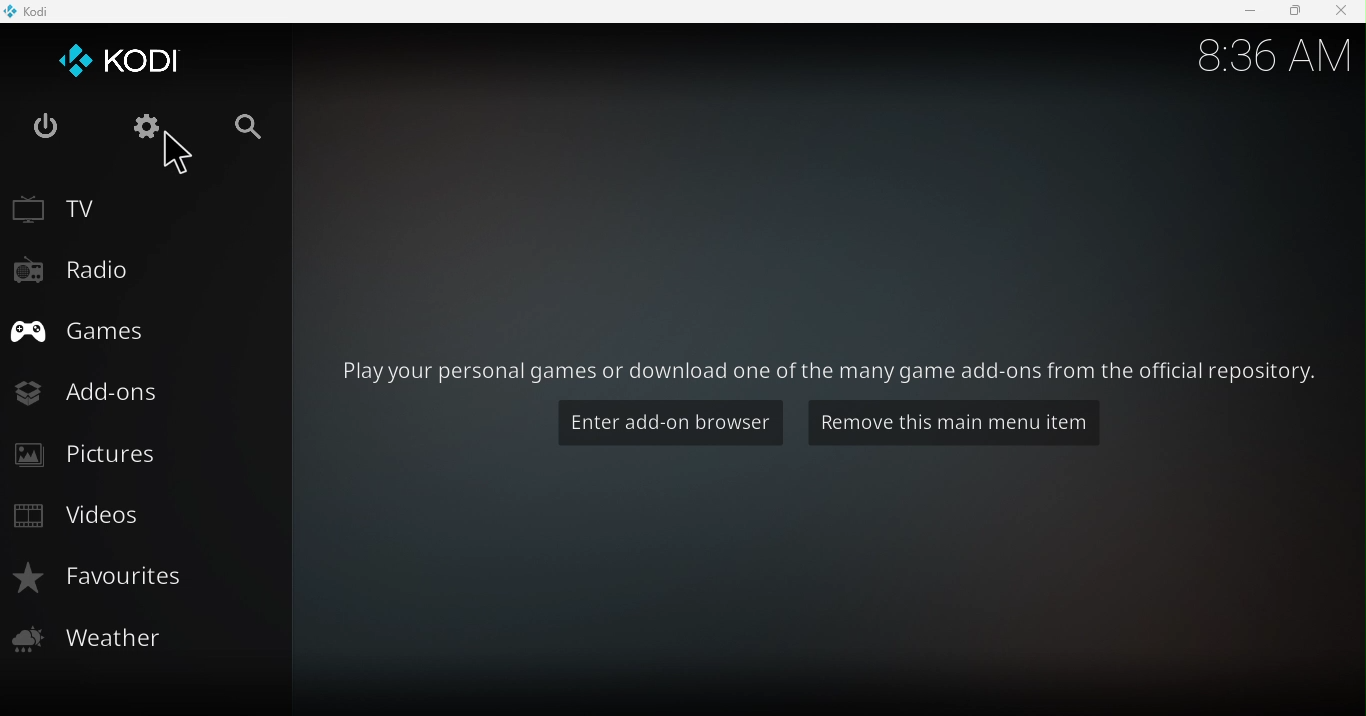  Describe the element at coordinates (831, 370) in the screenshot. I see `Play your personal games or download one of the many game add-ons from the repository.` at that location.